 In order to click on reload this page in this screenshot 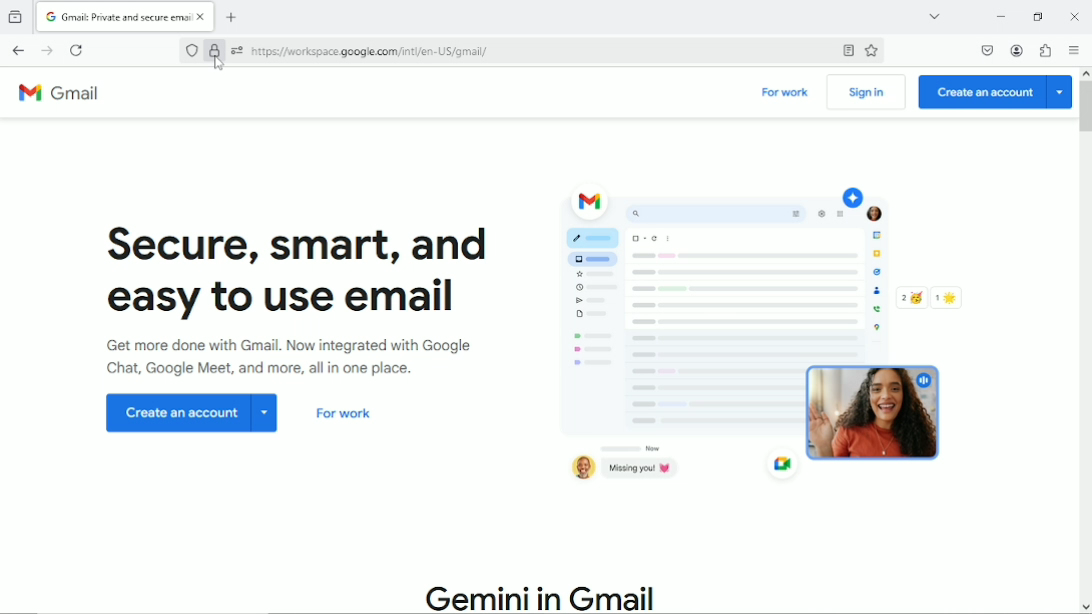, I will do `click(77, 50)`.